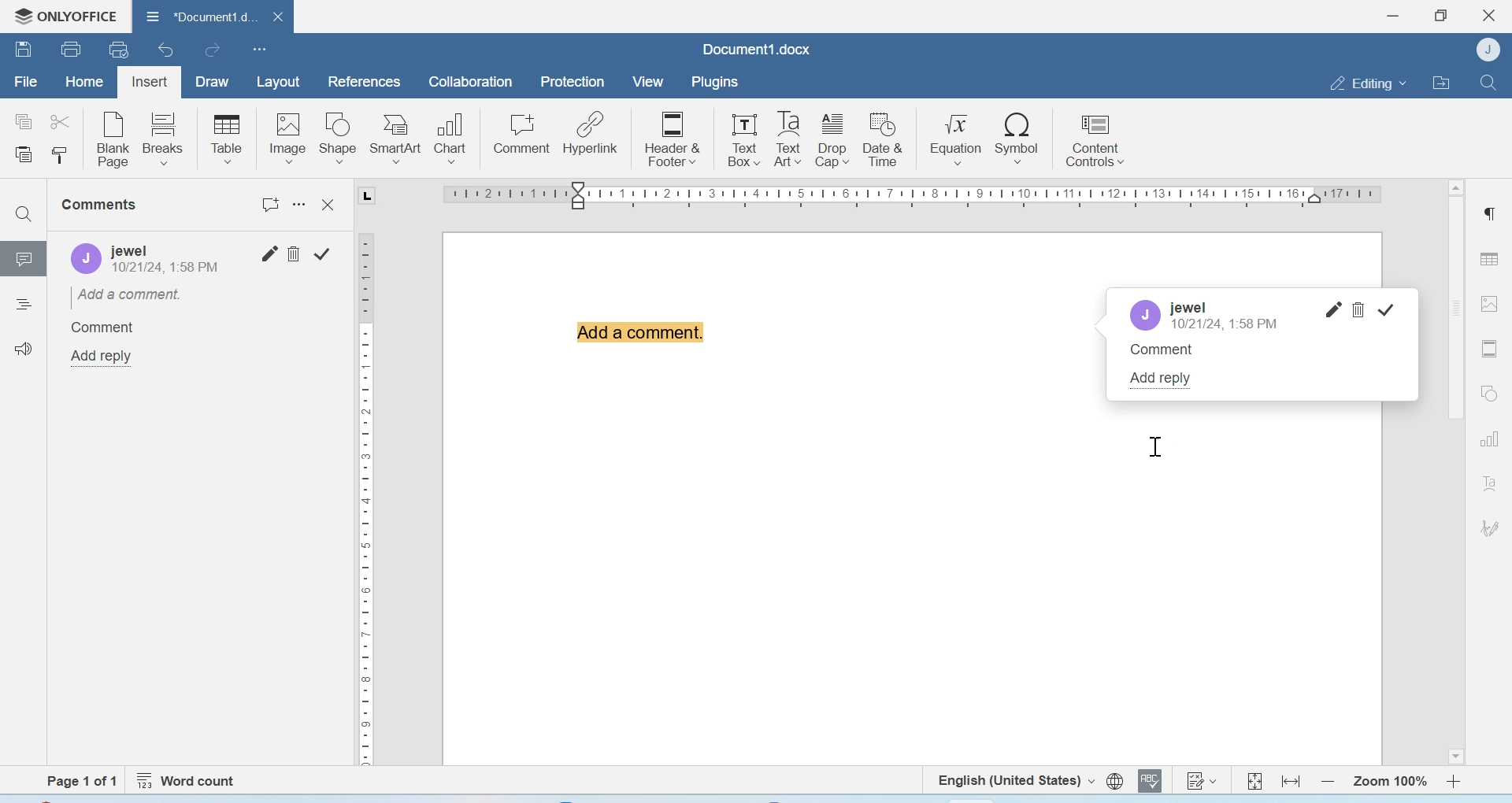  I want to click on Hyperlink, so click(590, 133).